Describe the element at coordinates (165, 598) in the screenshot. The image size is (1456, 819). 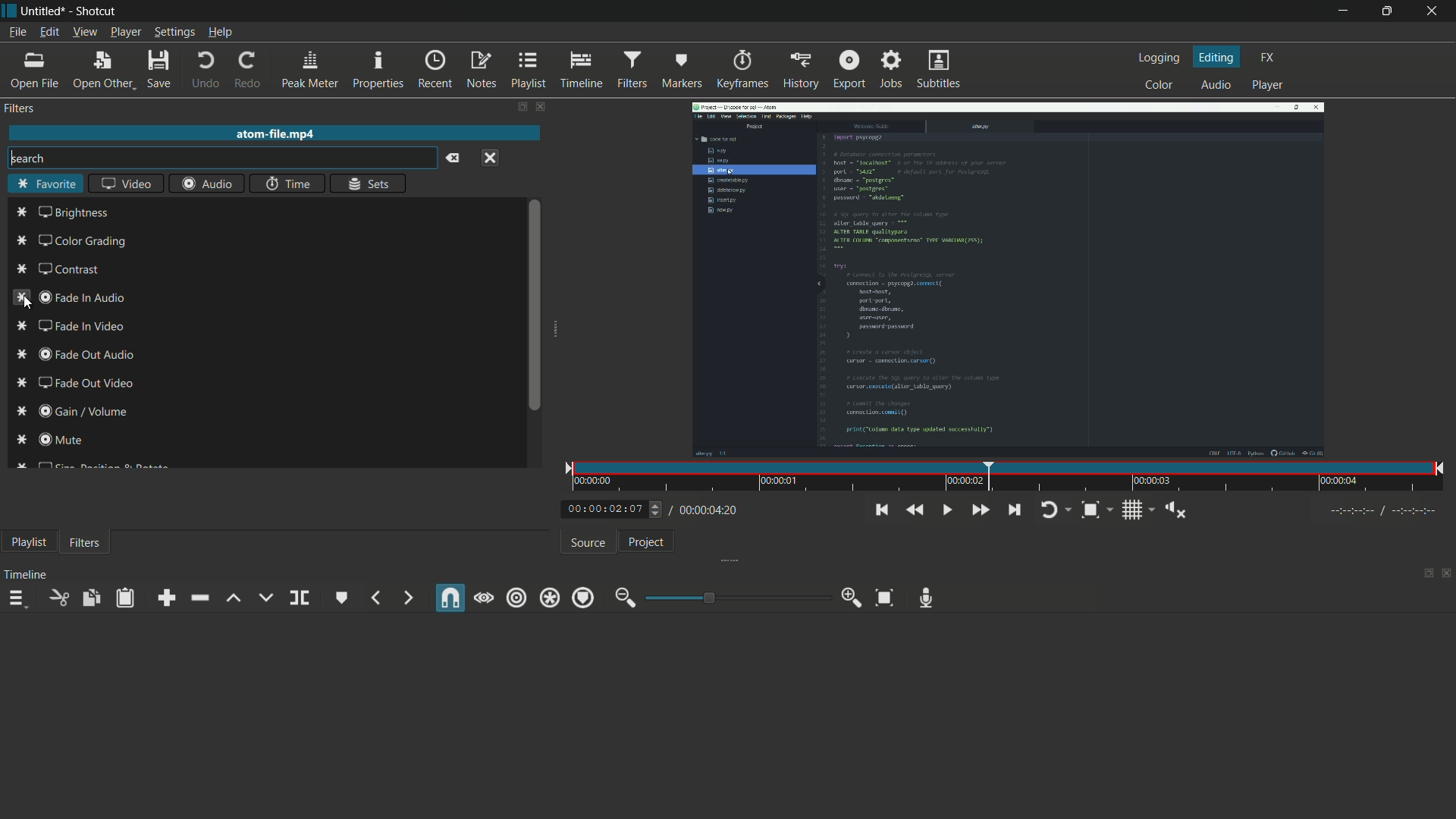
I see `append` at that location.